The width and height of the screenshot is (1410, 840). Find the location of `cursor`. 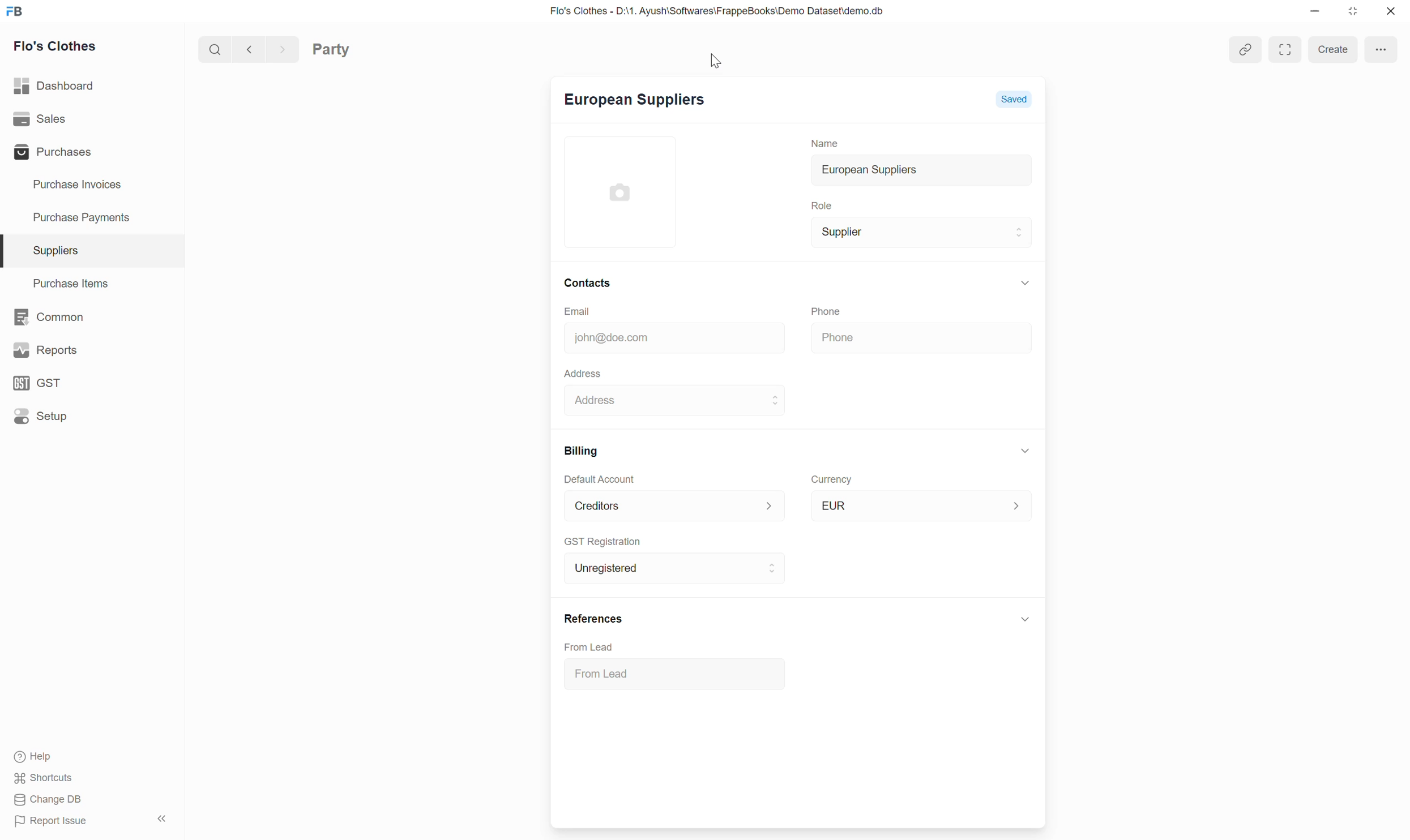

cursor is located at coordinates (724, 61).